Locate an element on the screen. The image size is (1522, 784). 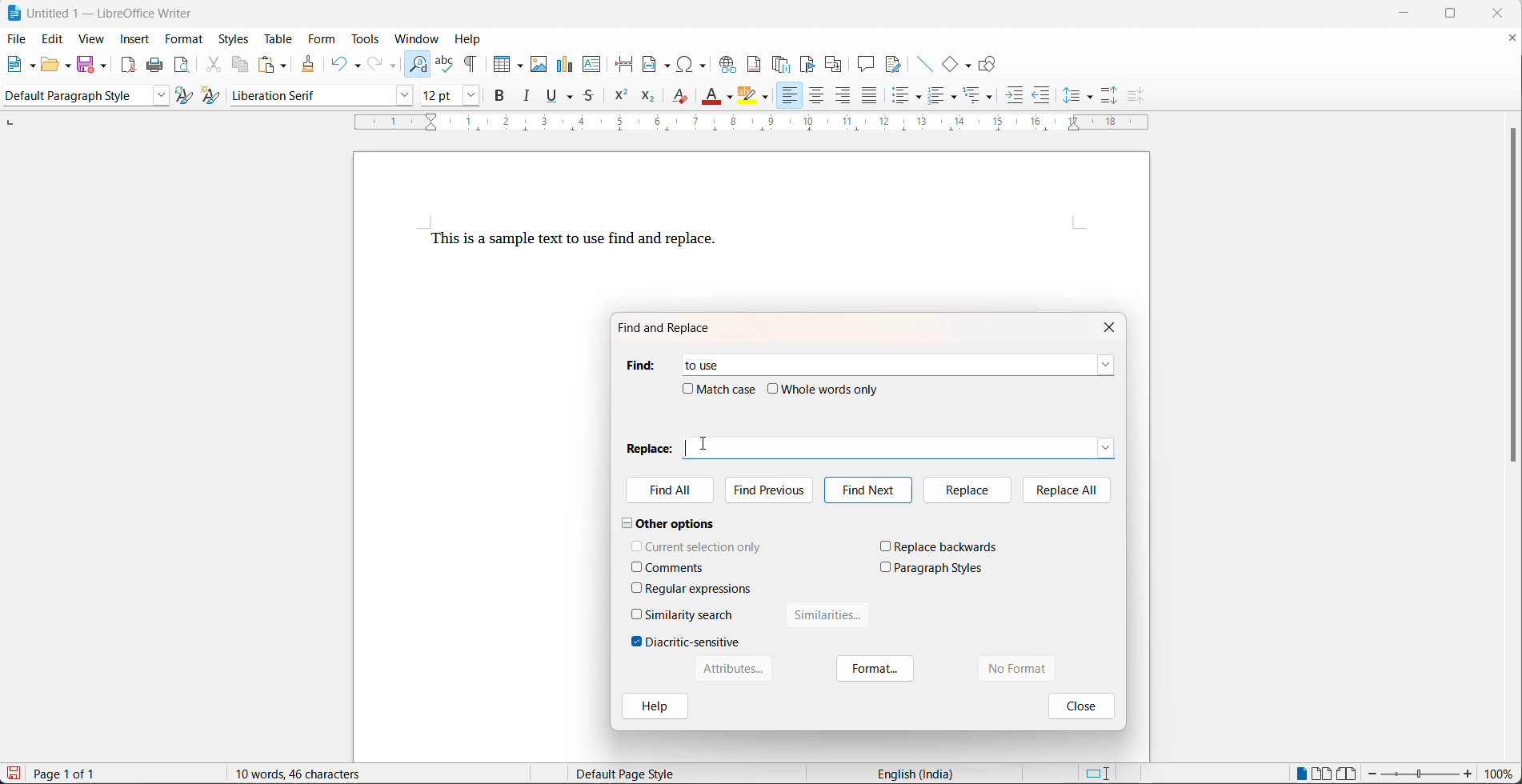
find and replace is located at coordinates (419, 62).